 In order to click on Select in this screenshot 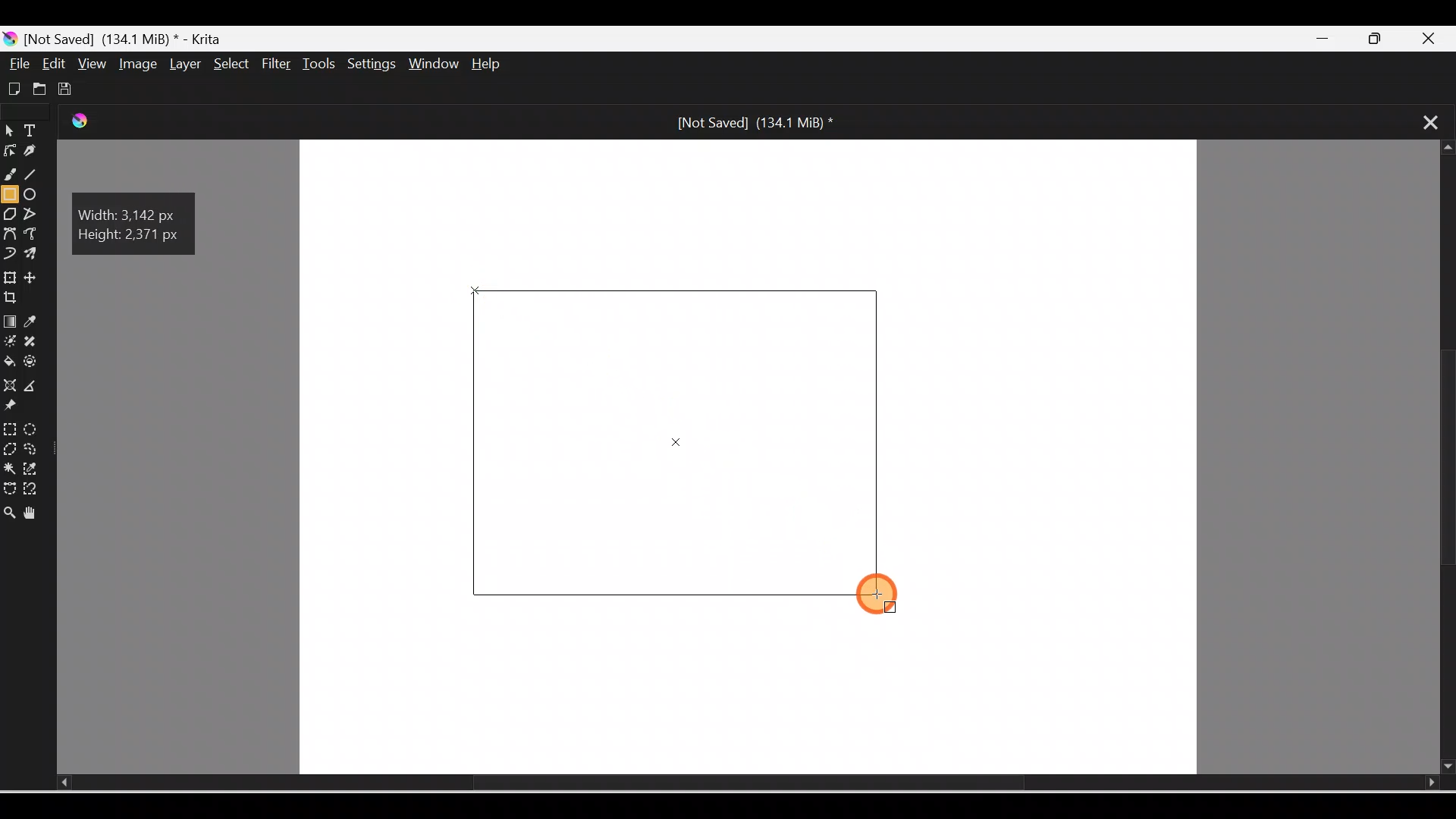, I will do `click(227, 63)`.